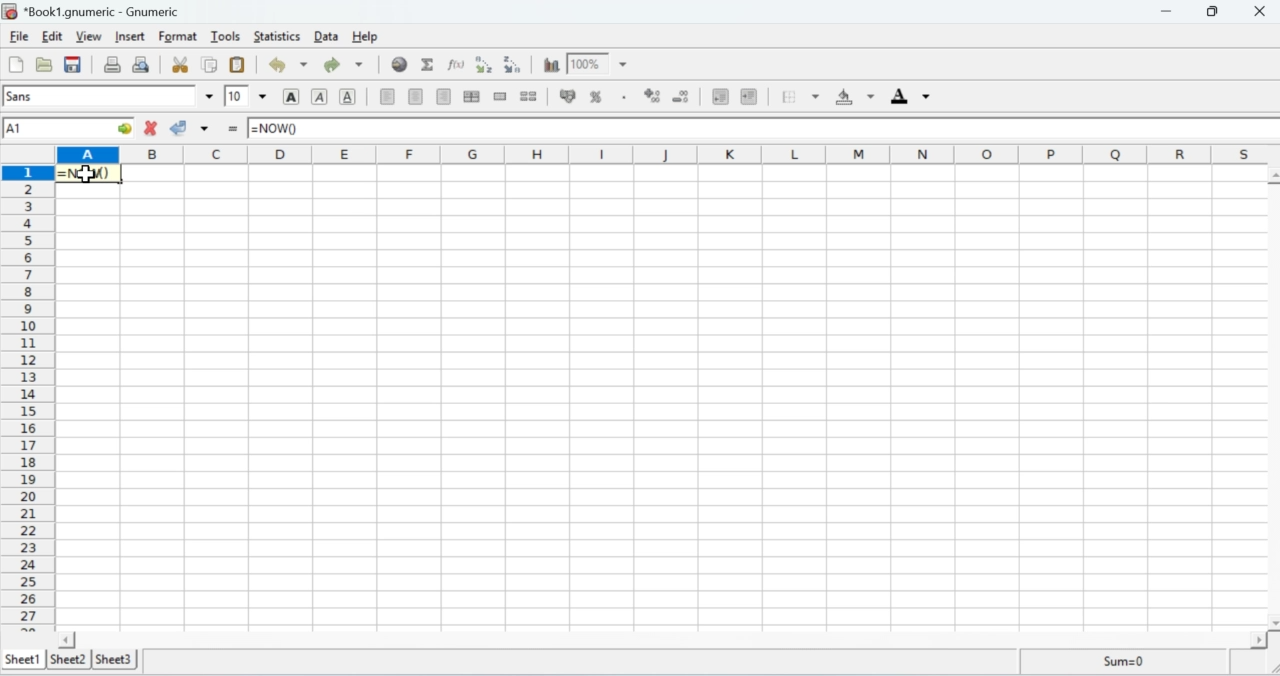 The height and width of the screenshot is (676, 1280). What do you see at coordinates (668, 154) in the screenshot?
I see `Columns` at bounding box center [668, 154].